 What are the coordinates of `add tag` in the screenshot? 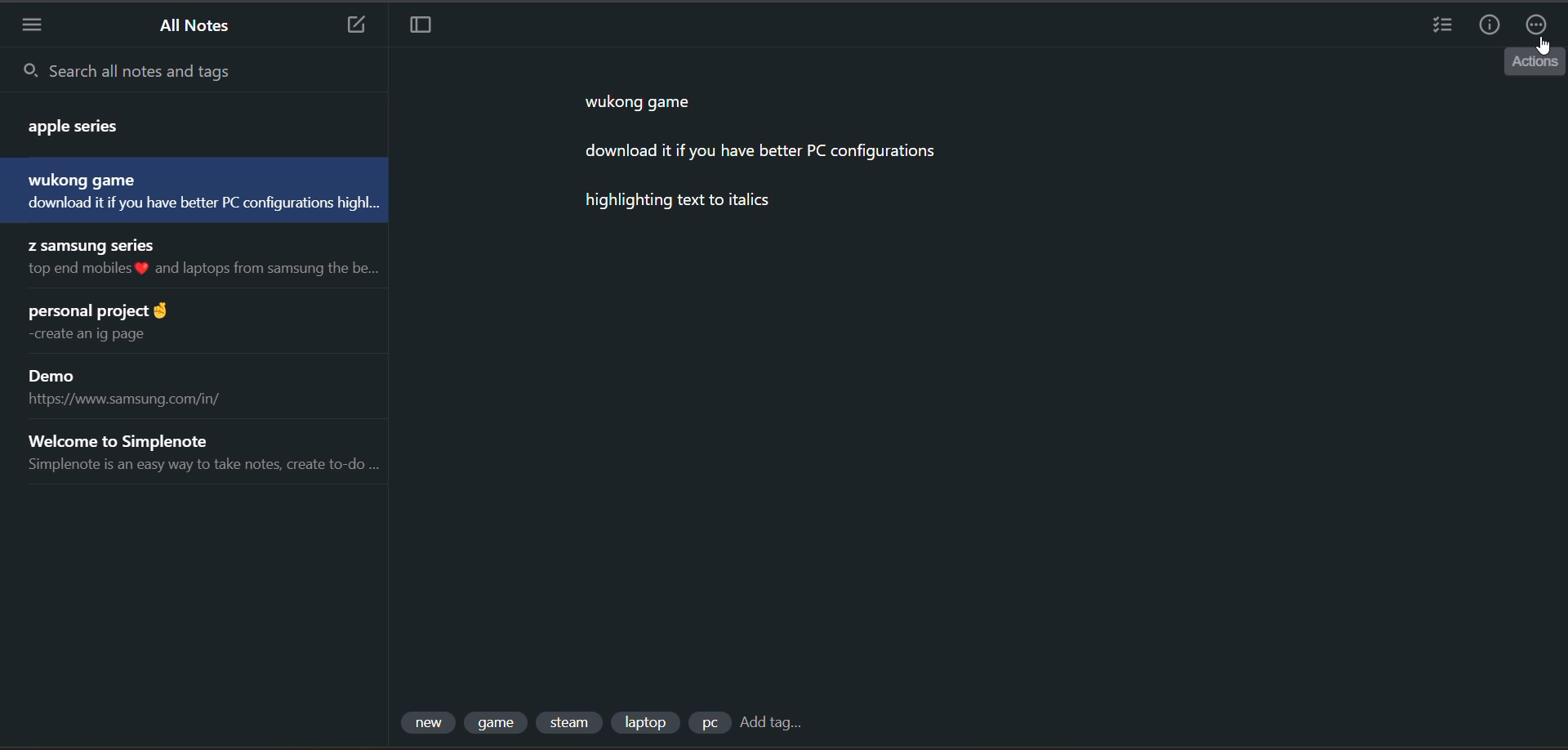 It's located at (770, 725).